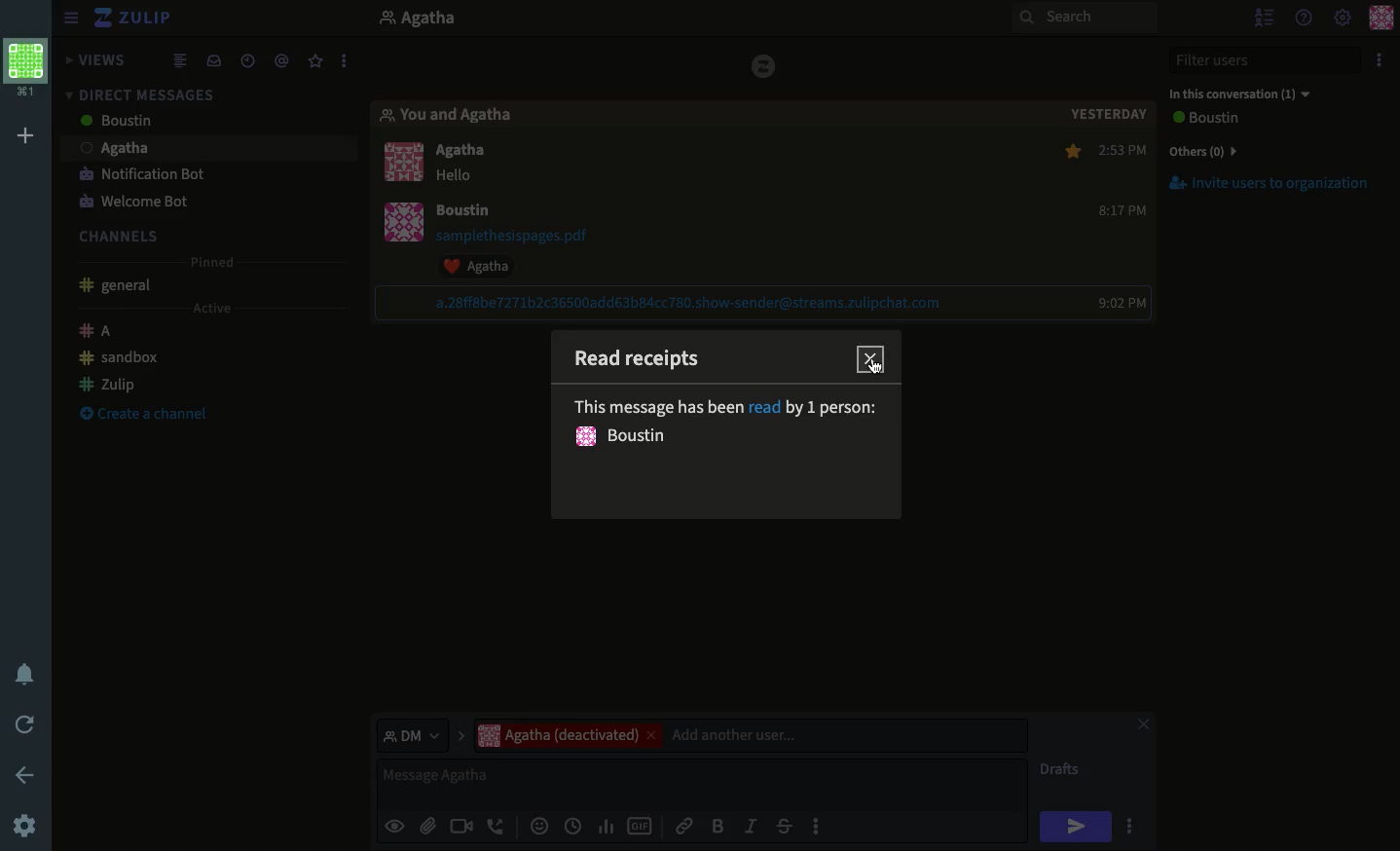  What do you see at coordinates (1223, 120) in the screenshot?
I see `View all users` at bounding box center [1223, 120].